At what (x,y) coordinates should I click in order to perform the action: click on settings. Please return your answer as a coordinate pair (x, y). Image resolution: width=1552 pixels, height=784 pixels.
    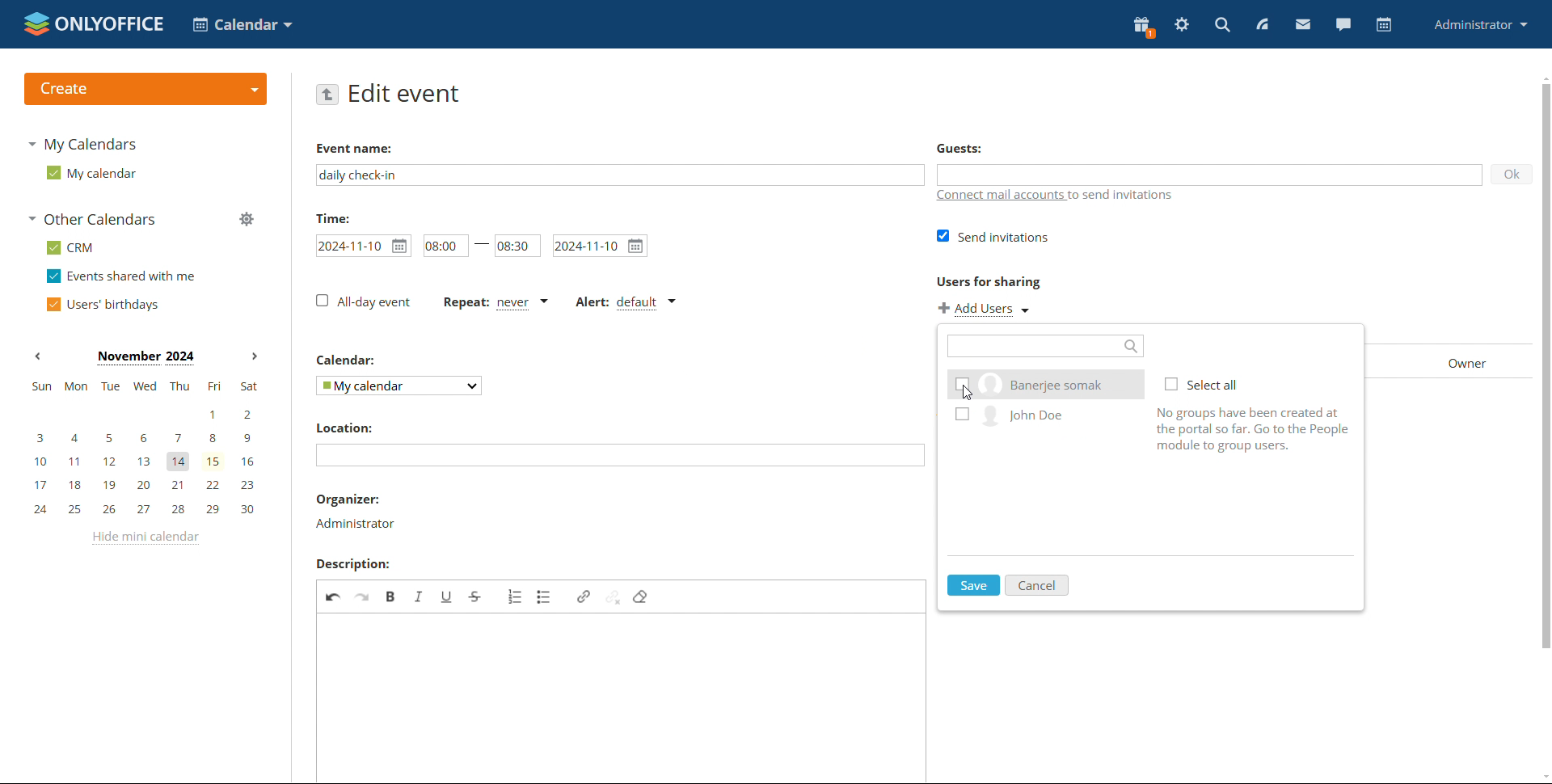
    Looking at the image, I should click on (1182, 25).